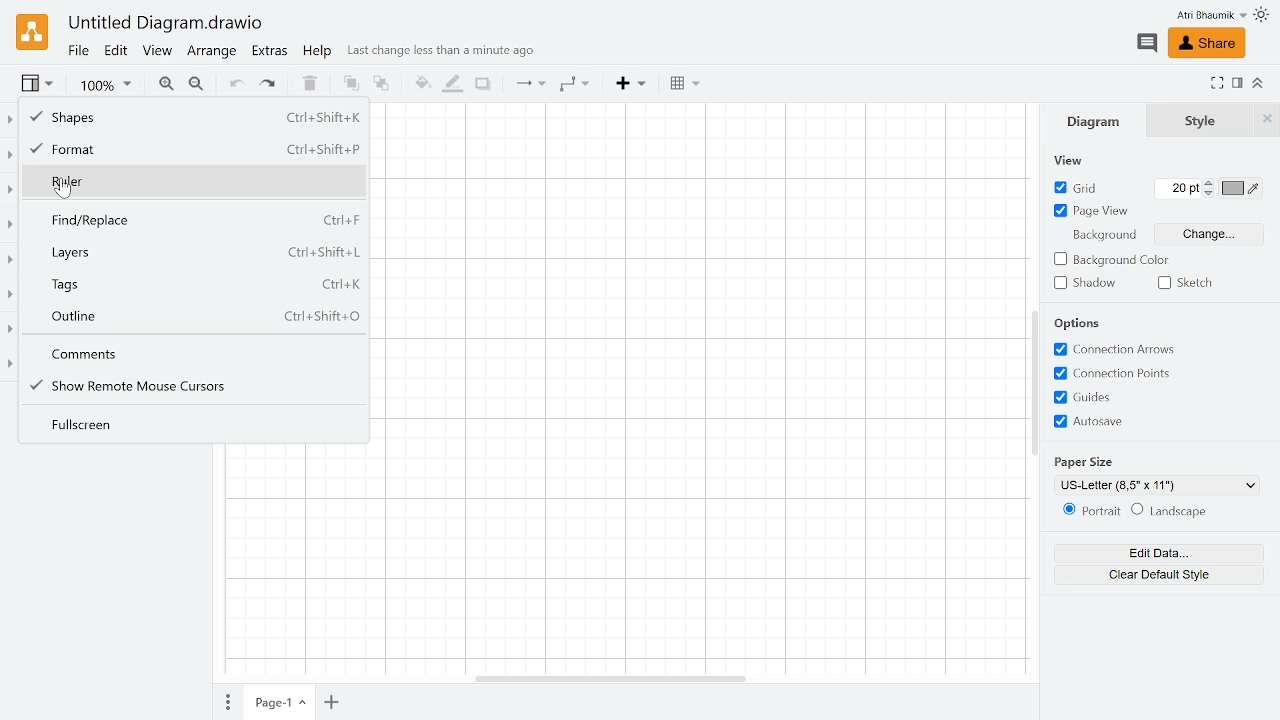 The height and width of the screenshot is (720, 1280). I want to click on Vertical scrollbar, so click(1034, 382).